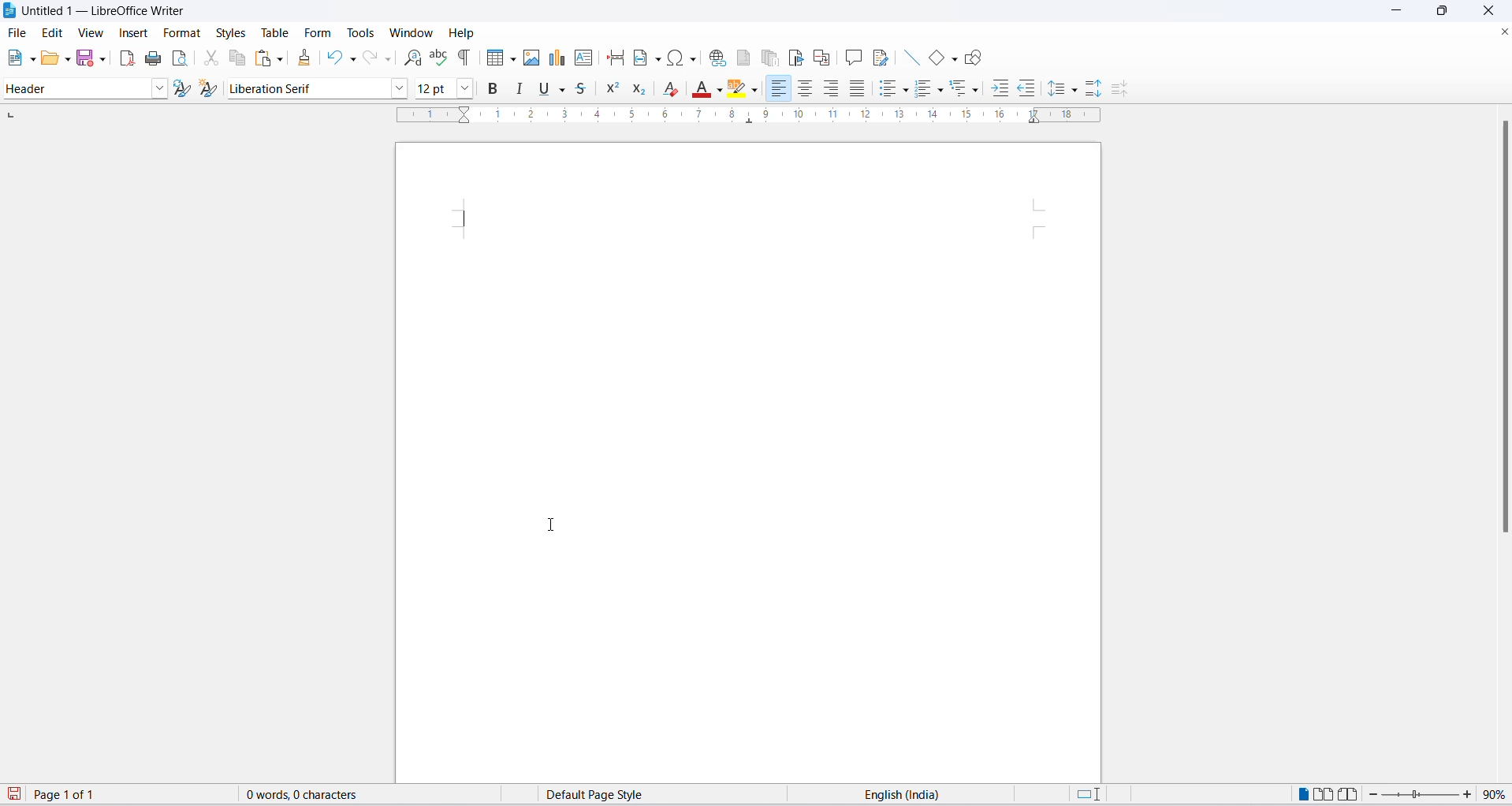 This screenshot has width=1512, height=806. What do you see at coordinates (73, 90) in the screenshot?
I see `style` at bounding box center [73, 90].